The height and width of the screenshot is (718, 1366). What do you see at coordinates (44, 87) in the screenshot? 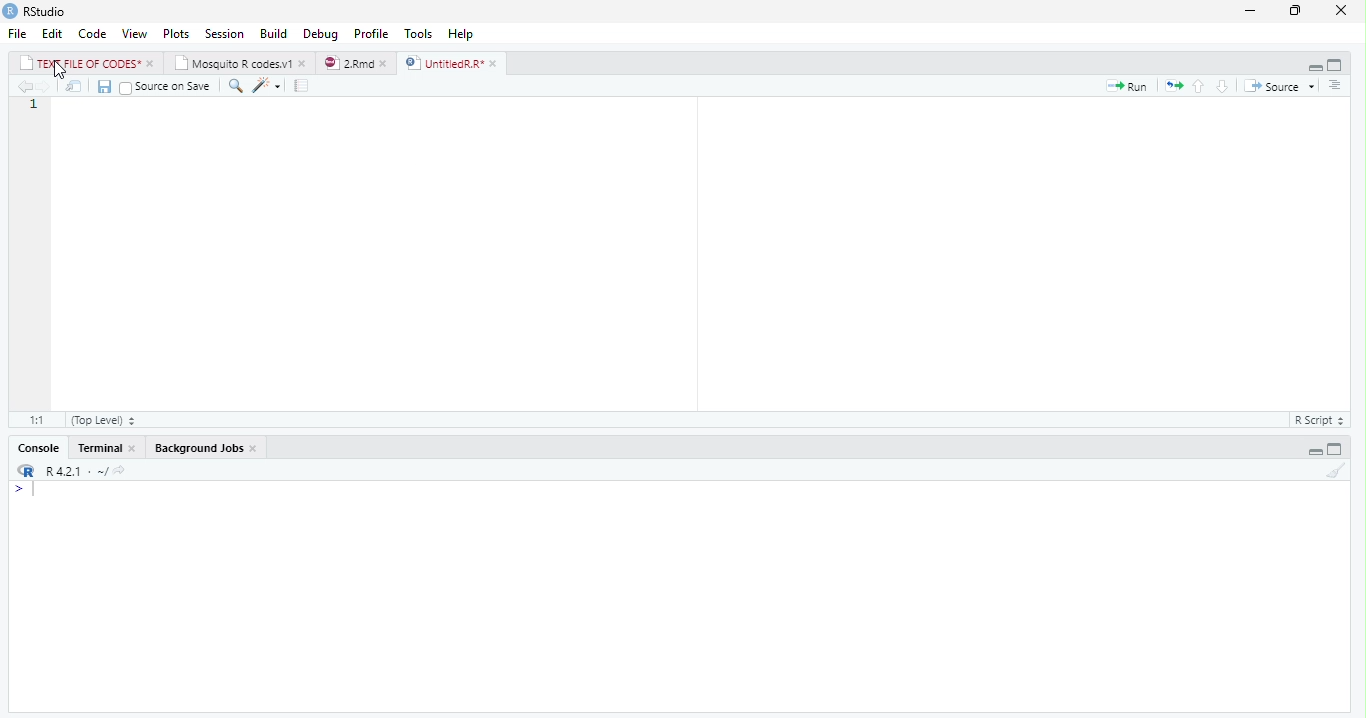
I see `Go to next location` at bounding box center [44, 87].